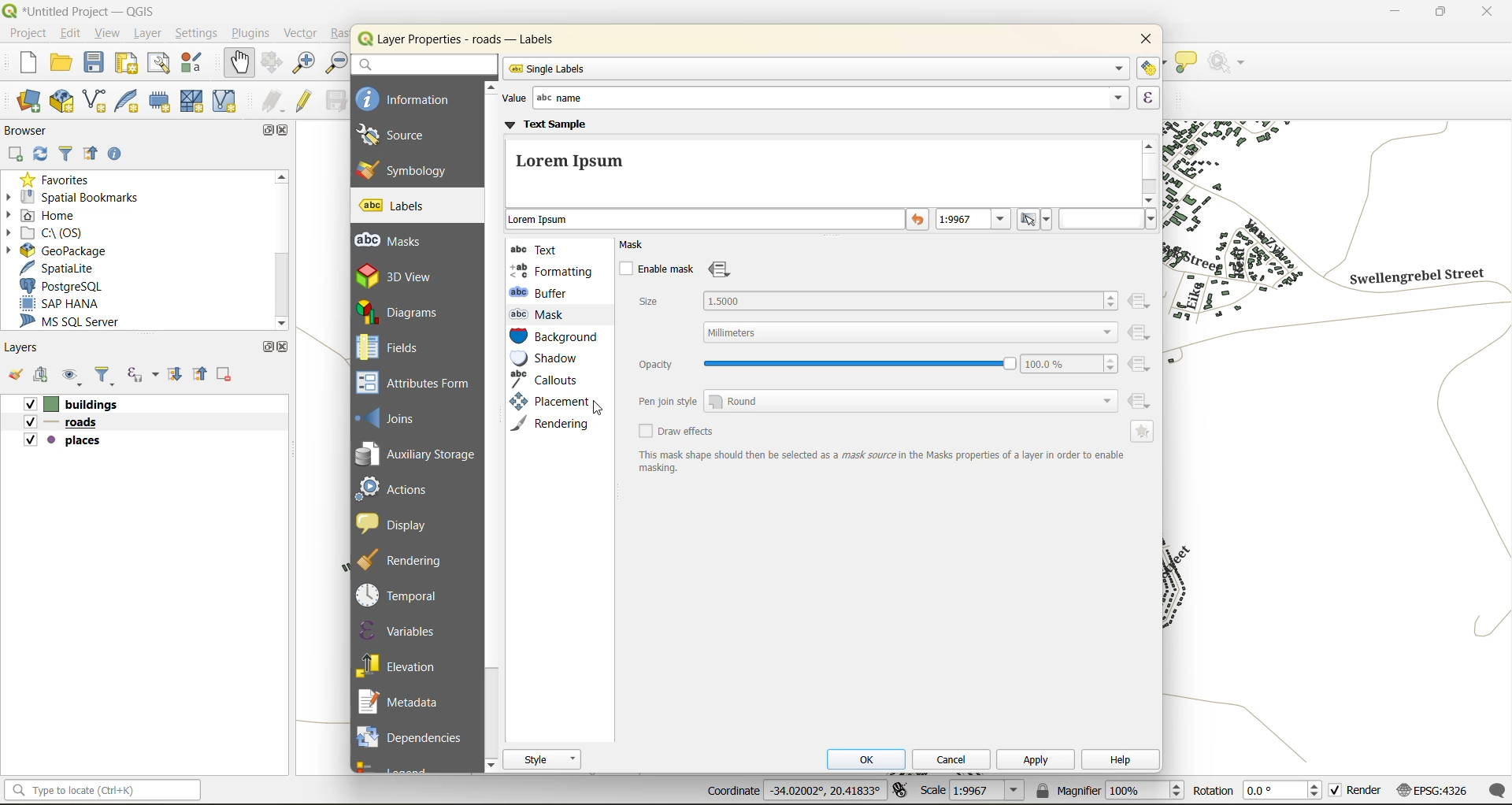  What do you see at coordinates (549, 380) in the screenshot?
I see `callouts` at bounding box center [549, 380].